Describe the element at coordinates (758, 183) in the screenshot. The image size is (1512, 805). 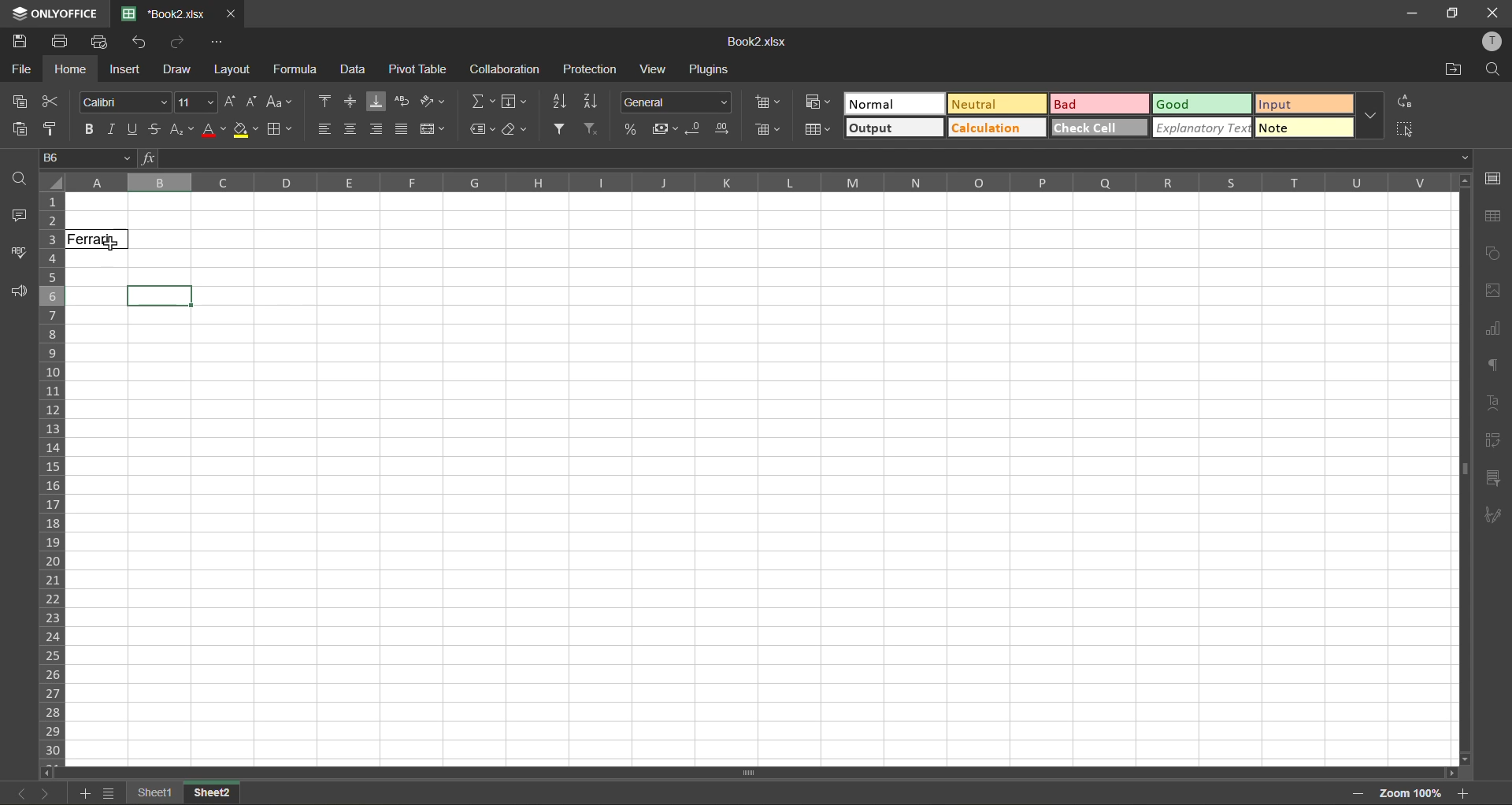
I see `column names` at that location.